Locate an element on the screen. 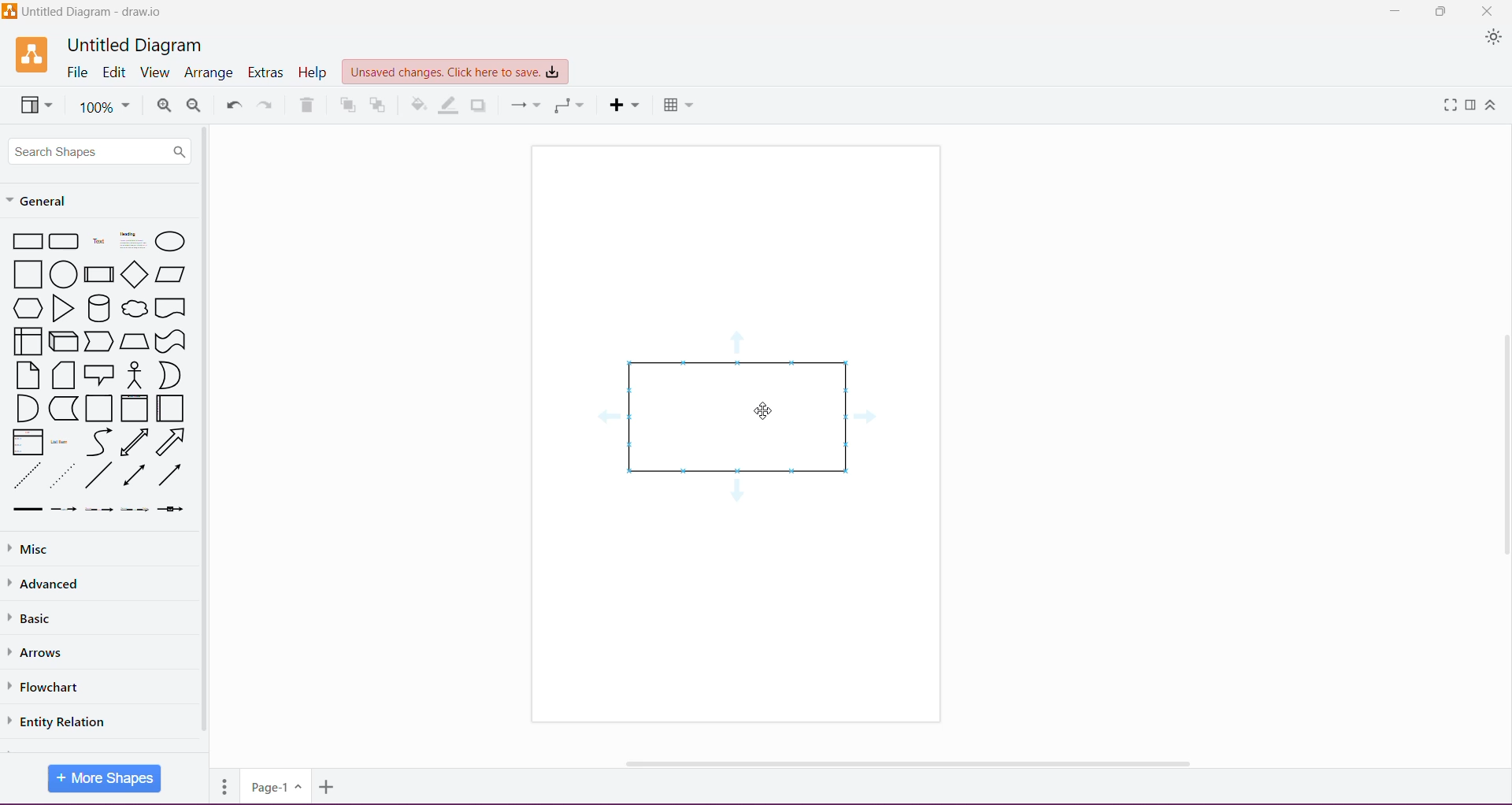  Zoom Out is located at coordinates (195, 106).